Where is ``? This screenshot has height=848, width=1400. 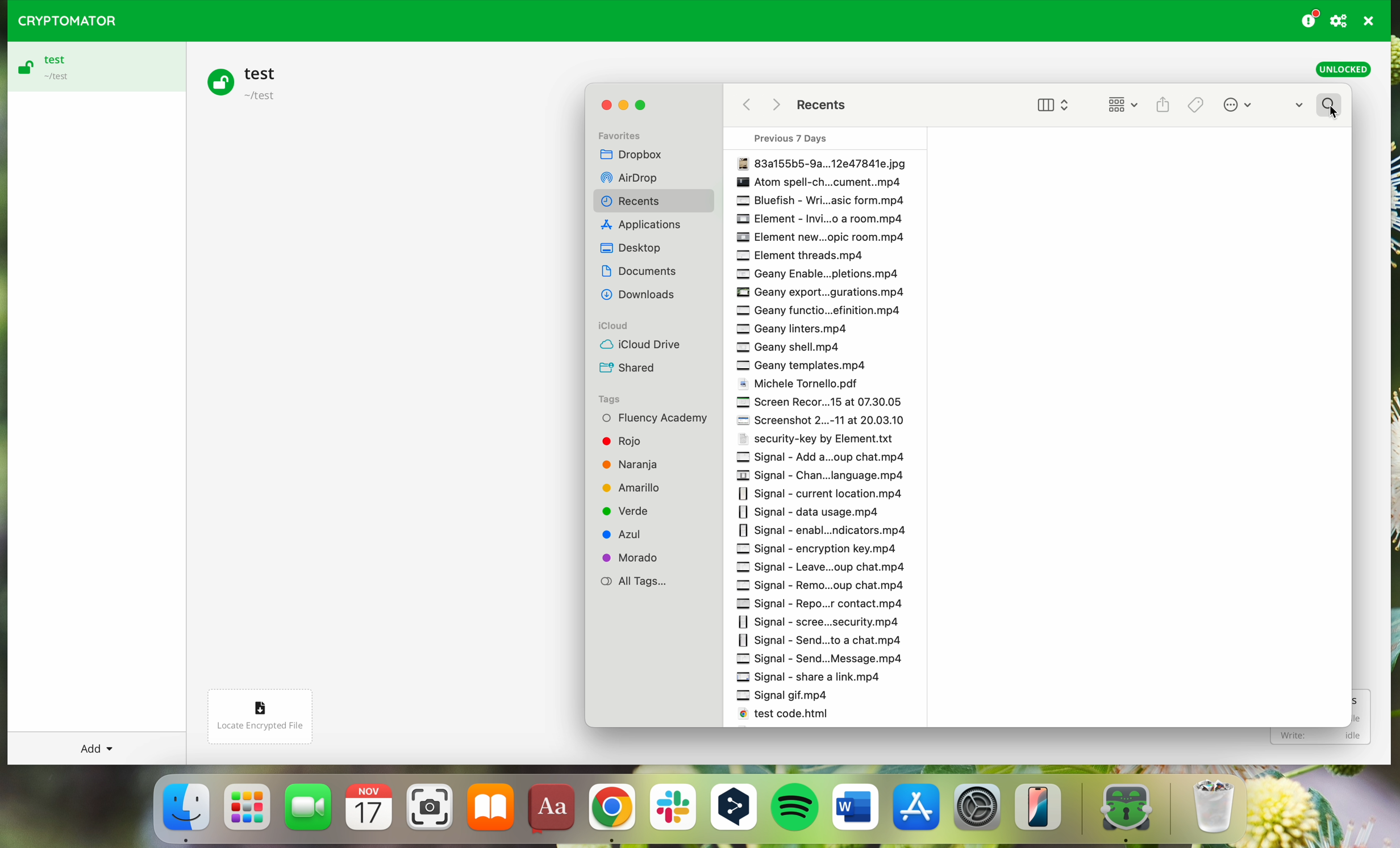  is located at coordinates (779, 107).